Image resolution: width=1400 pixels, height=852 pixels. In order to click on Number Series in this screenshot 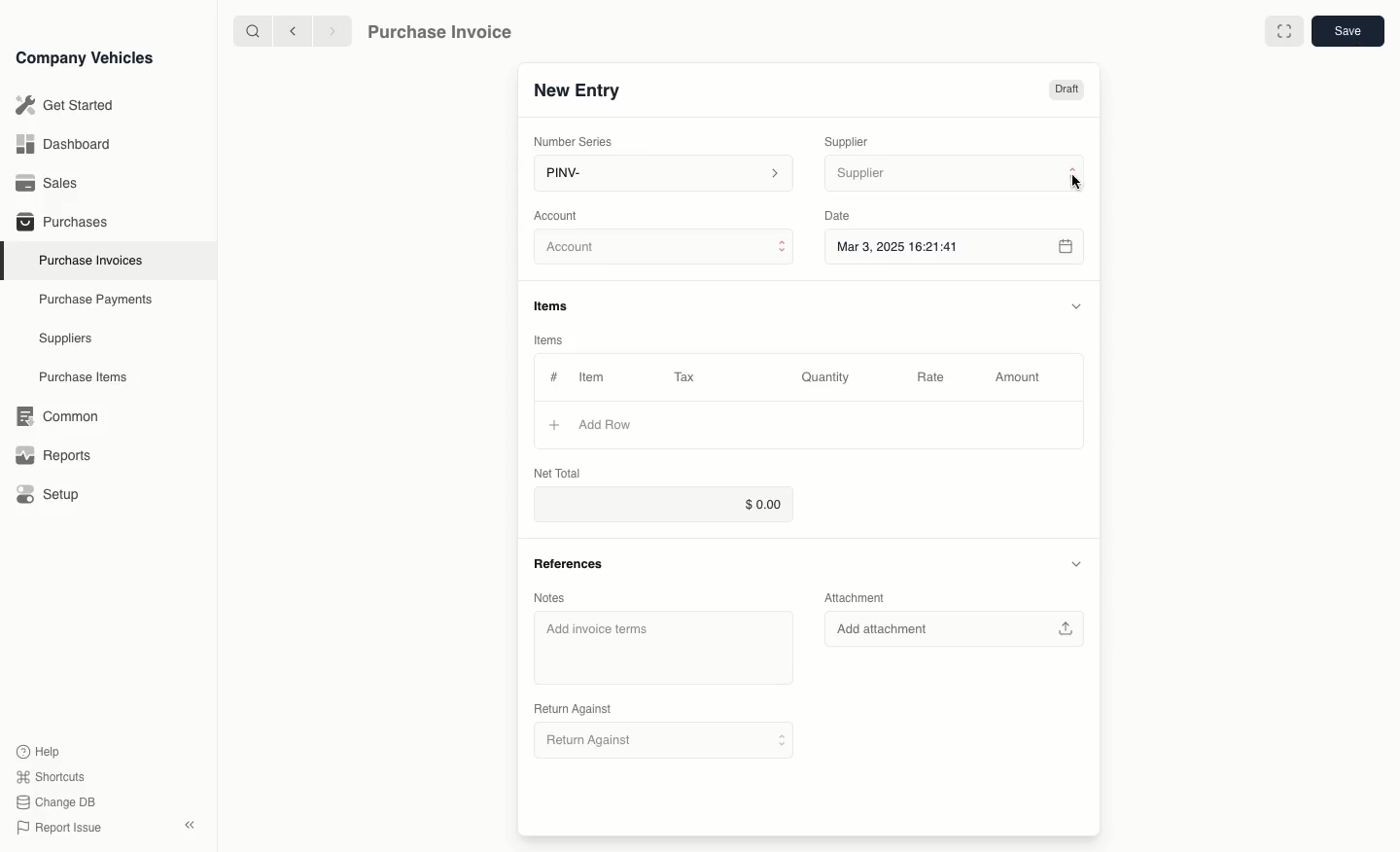, I will do `click(579, 139)`.